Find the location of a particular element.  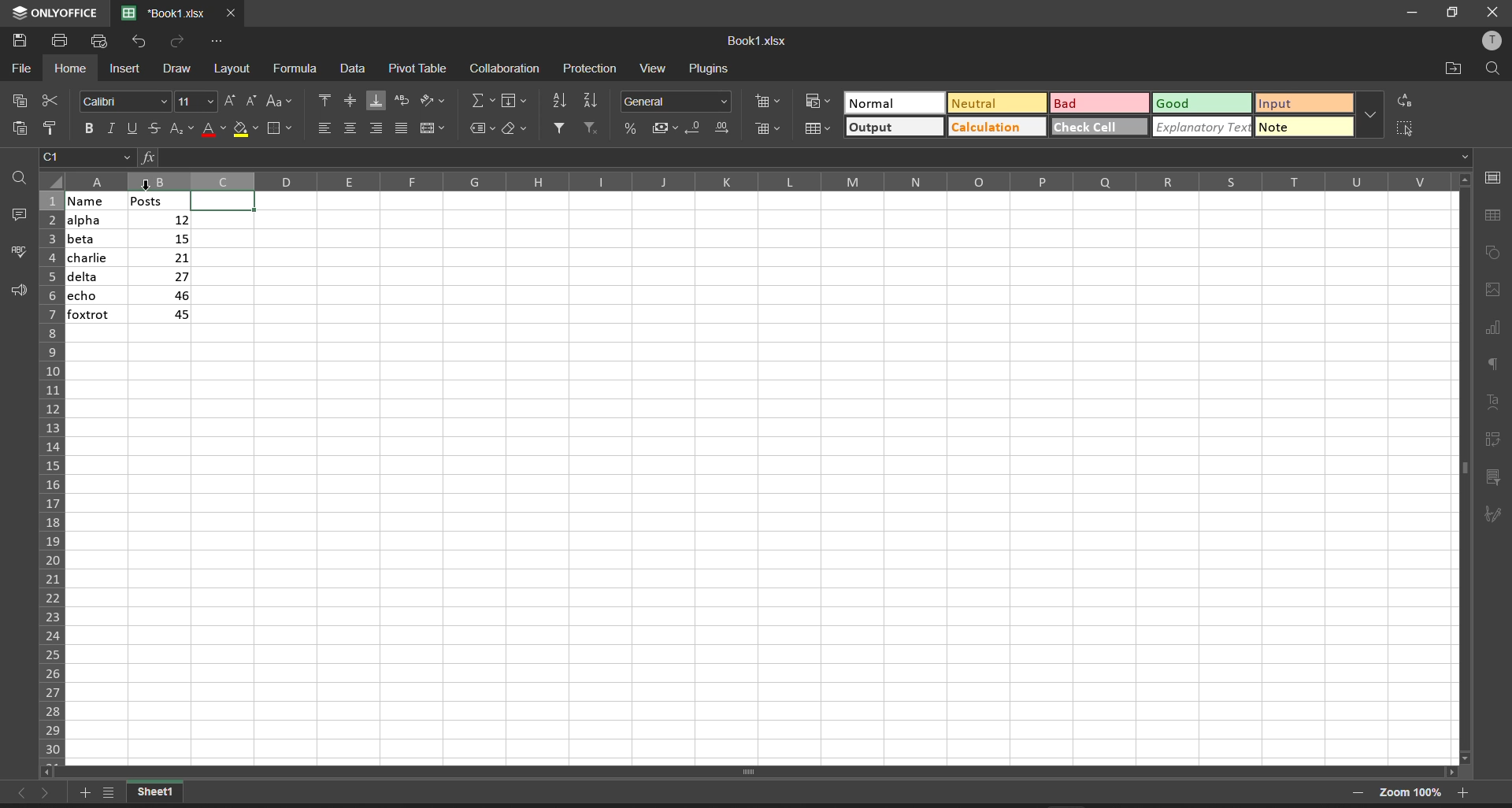

align bottom is located at coordinates (372, 101).